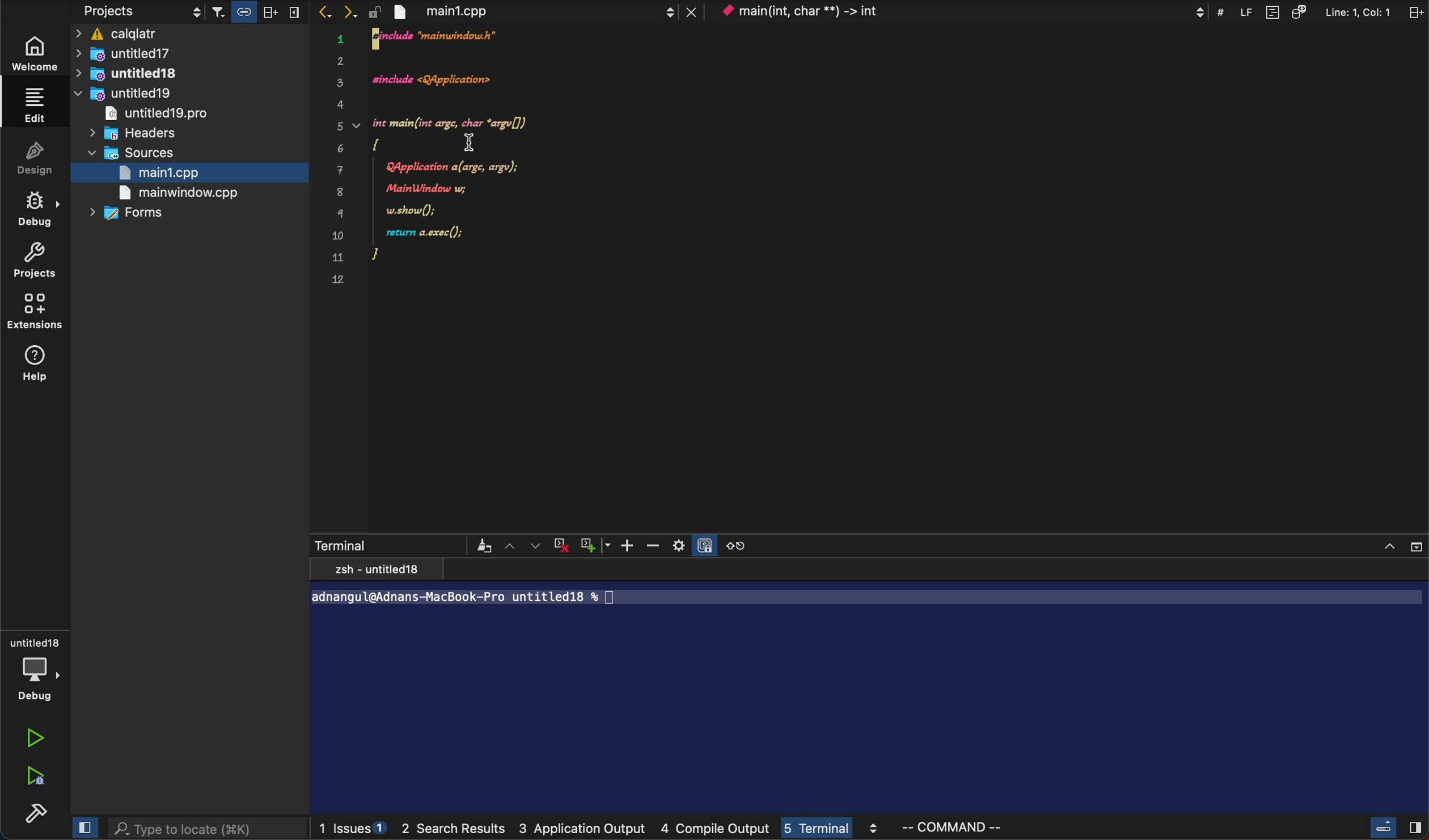  I want to click on debug, so click(41, 211).